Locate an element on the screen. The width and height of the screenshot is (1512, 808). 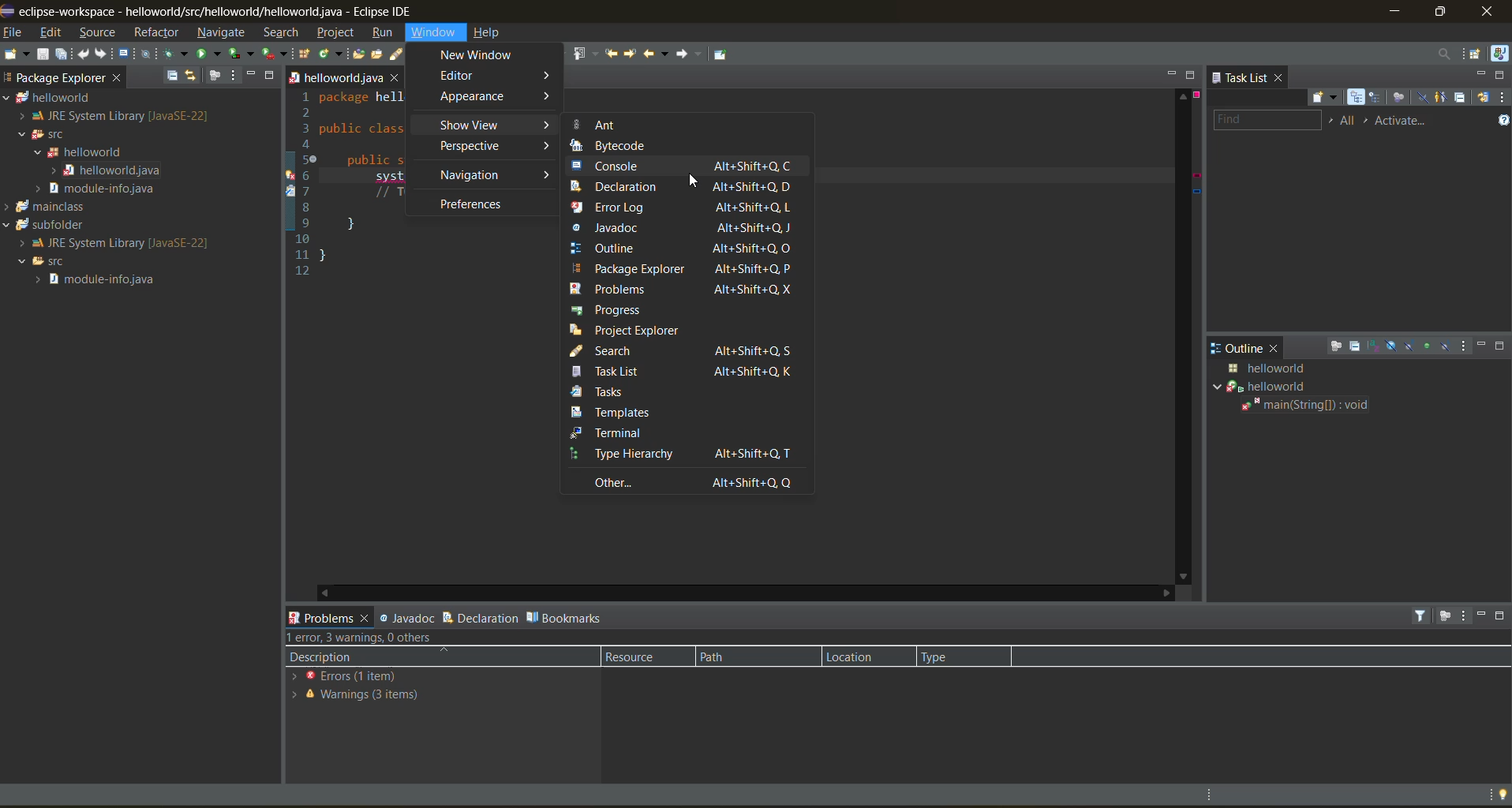
new java package is located at coordinates (305, 54).